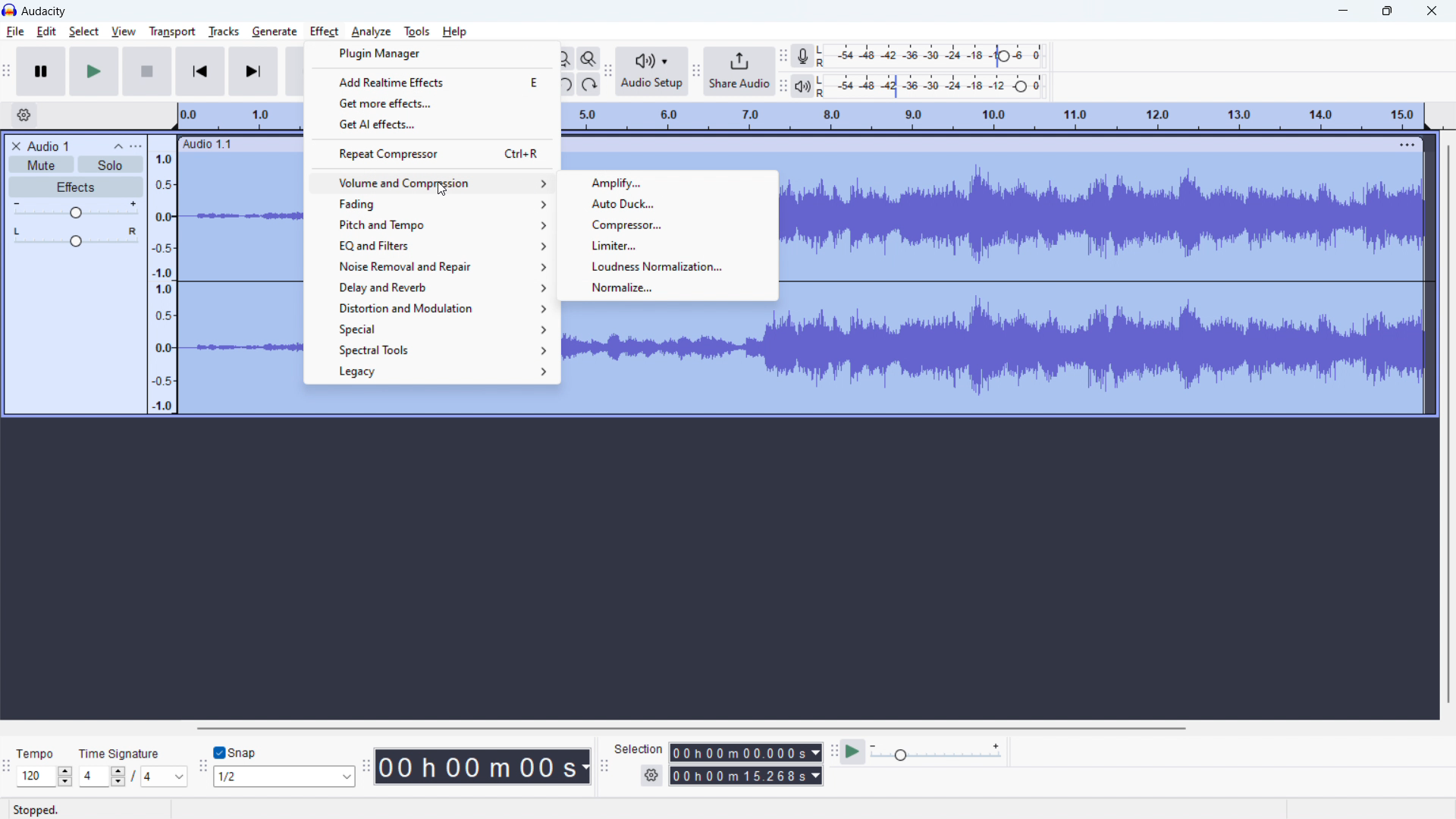 This screenshot has width=1456, height=819. I want to click on recording meter toolbar, so click(783, 56).